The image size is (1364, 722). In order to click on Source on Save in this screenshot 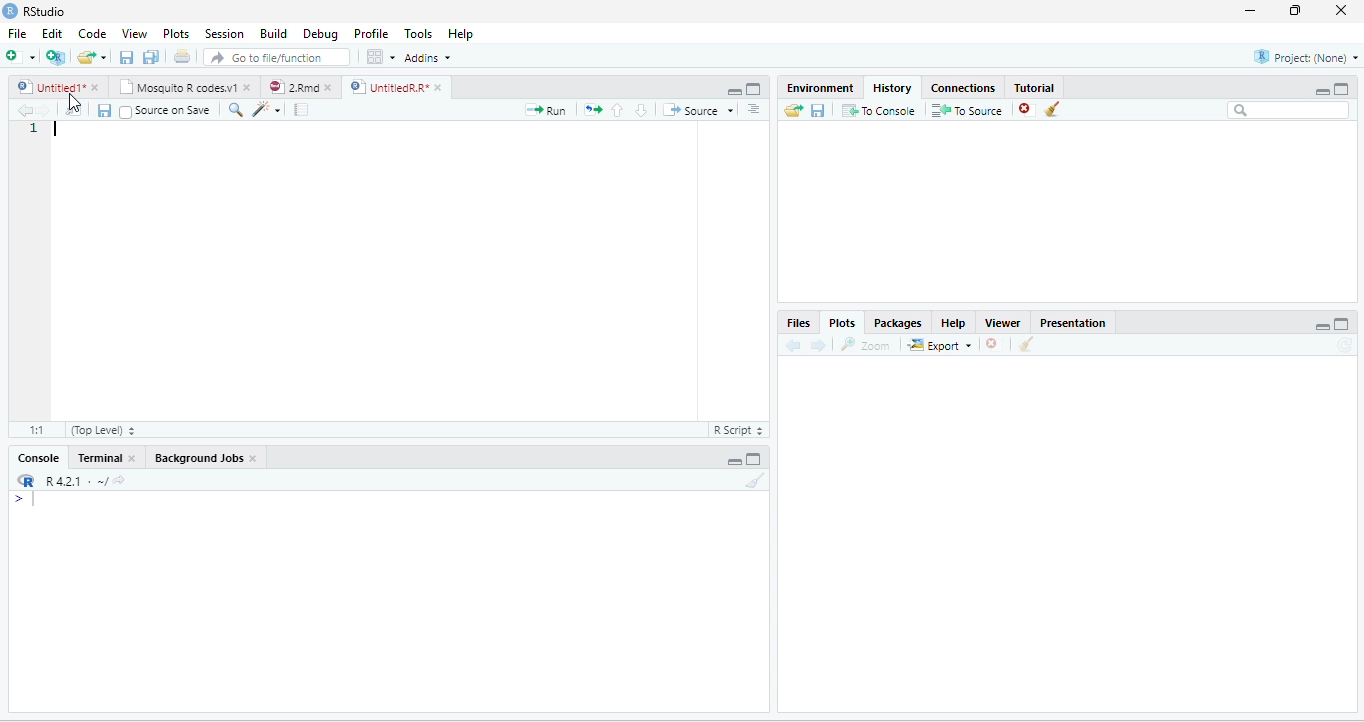, I will do `click(166, 112)`.